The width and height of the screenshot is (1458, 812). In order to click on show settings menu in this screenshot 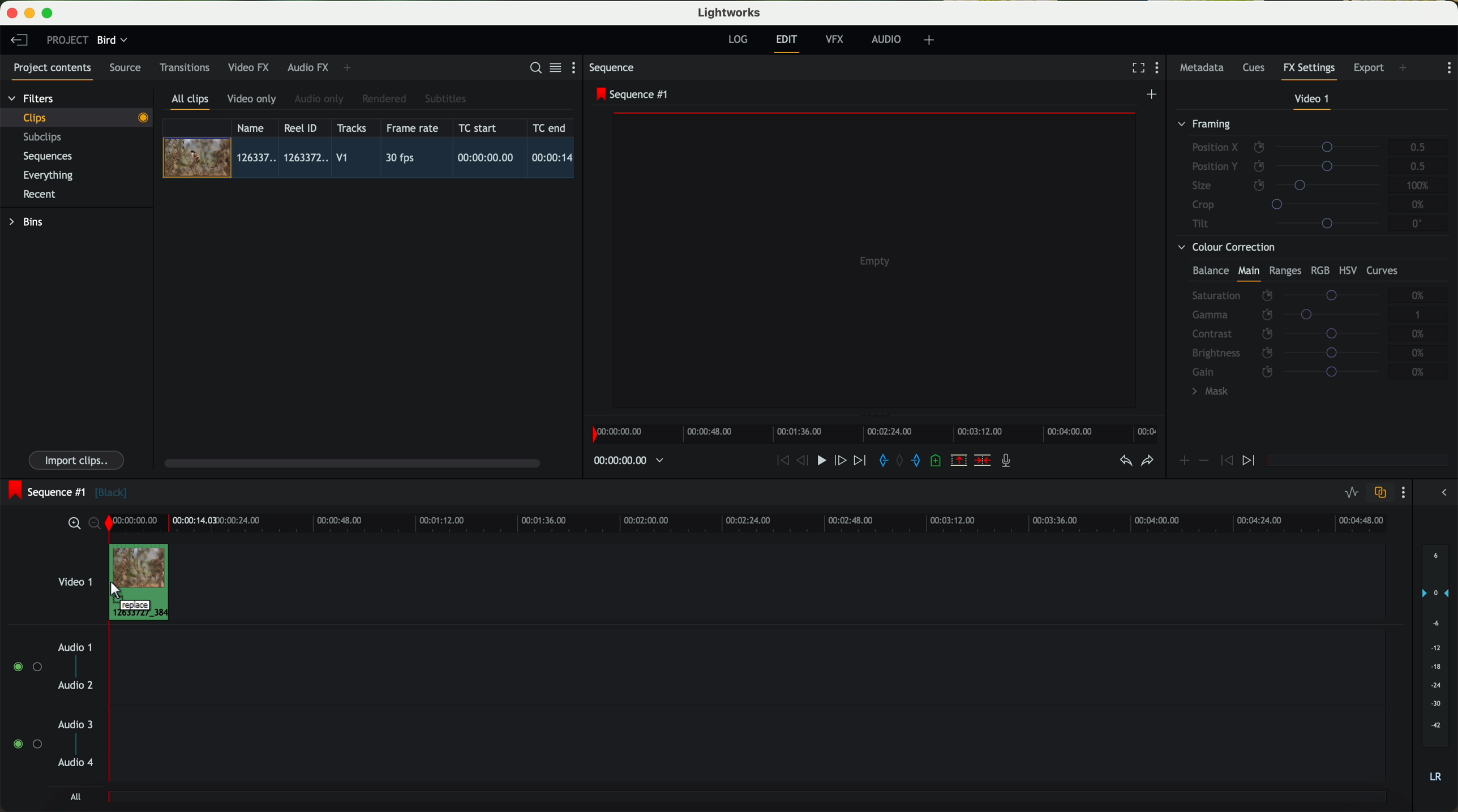, I will do `click(1160, 69)`.